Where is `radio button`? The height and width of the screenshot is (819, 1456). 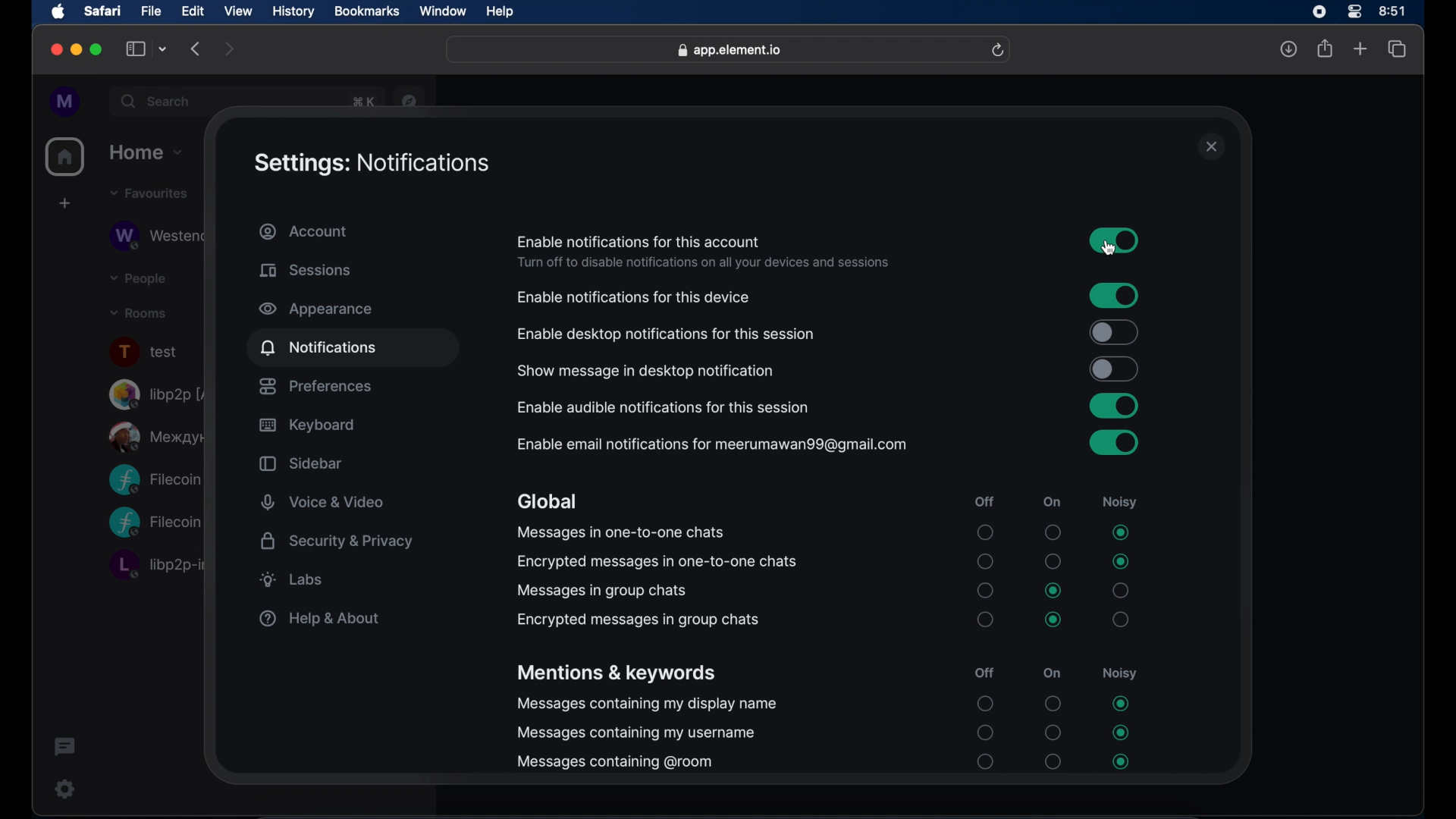 radio button is located at coordinates (1121, 704).